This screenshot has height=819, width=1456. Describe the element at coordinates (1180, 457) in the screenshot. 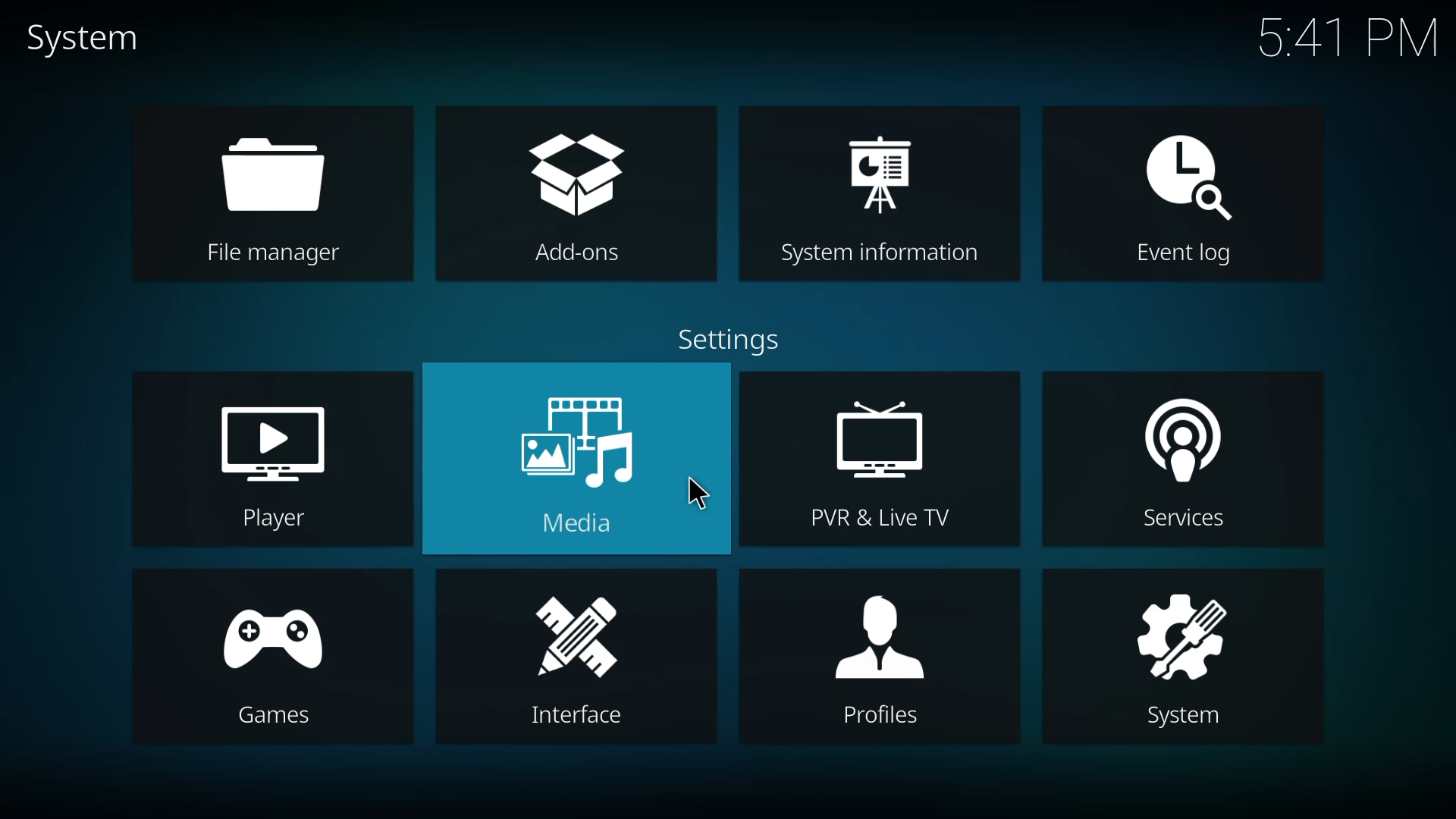

I see `services` at that location.